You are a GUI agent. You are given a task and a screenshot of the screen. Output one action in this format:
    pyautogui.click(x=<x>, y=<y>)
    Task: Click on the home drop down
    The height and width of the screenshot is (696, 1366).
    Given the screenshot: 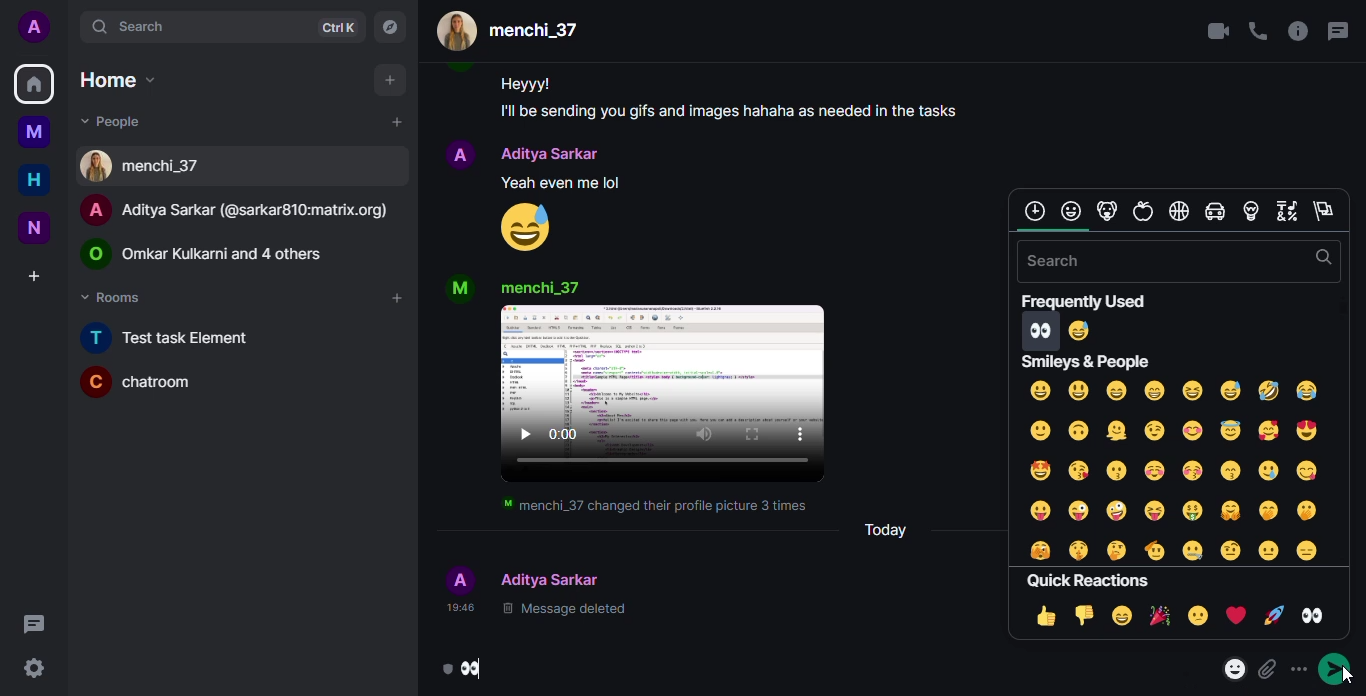 What is the action you would take?
    pyautogui.click(x=112, y=79)
    